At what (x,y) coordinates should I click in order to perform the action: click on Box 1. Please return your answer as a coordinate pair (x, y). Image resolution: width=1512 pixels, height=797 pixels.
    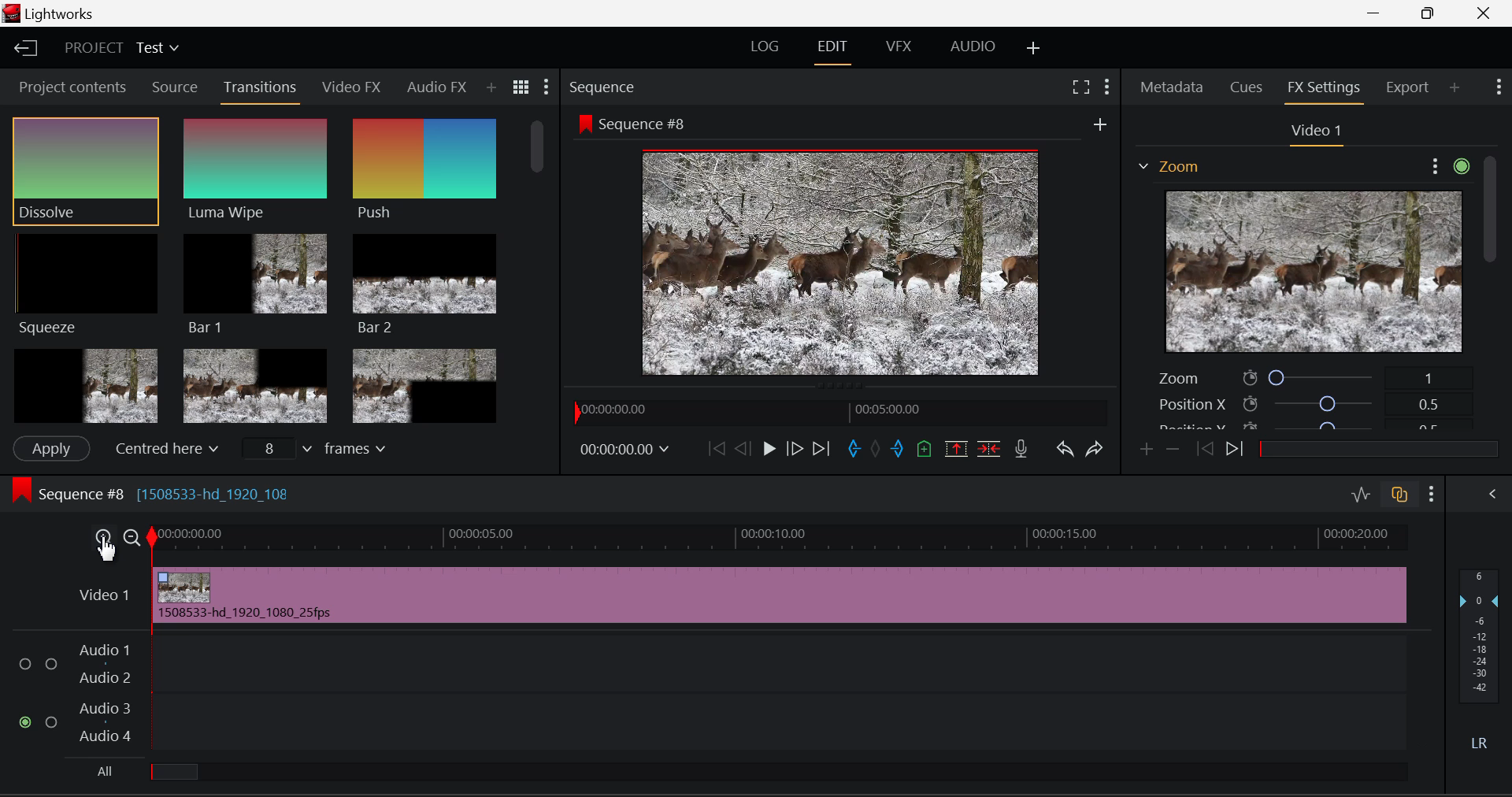
    Looking at the image, I should click on (83, 387).